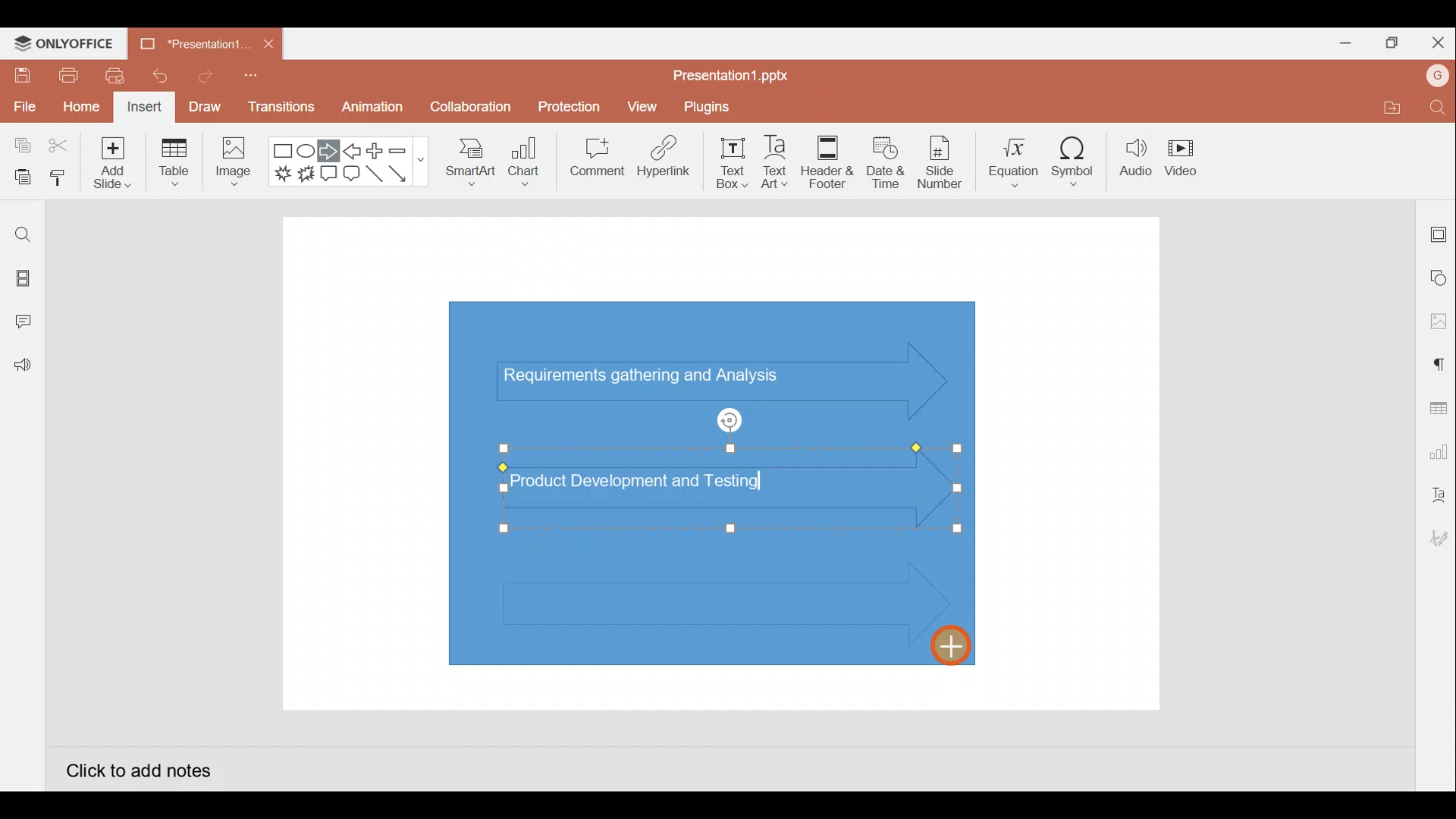 The height and width of the screenshot is (819, 1456). Describe the element at coordinates (256, 80) in the screenshot. I see `Customise quick access toolbar` at that location.